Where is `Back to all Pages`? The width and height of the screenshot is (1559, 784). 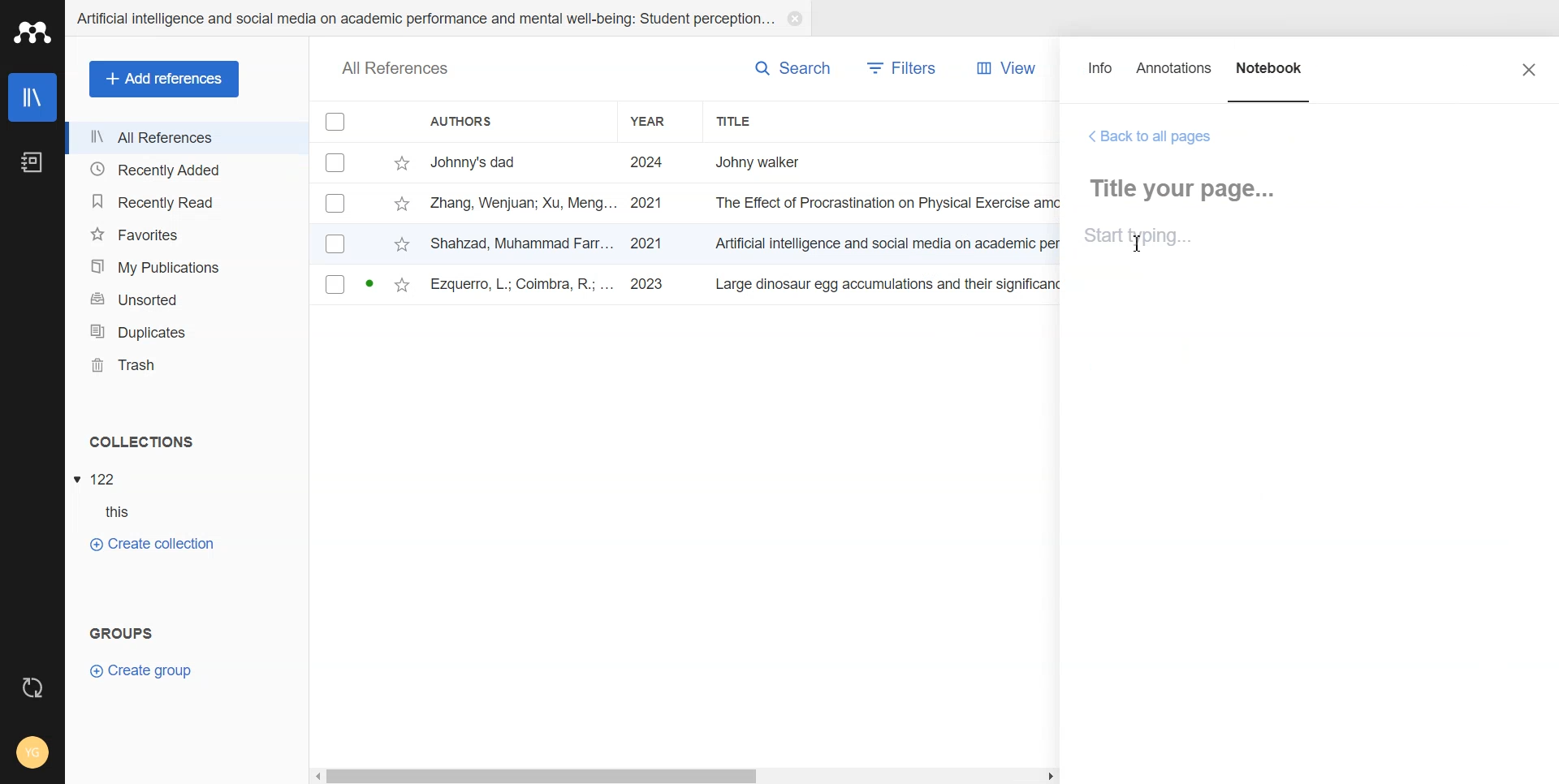 Back to all Pages is located at coordinates (1151, 137).